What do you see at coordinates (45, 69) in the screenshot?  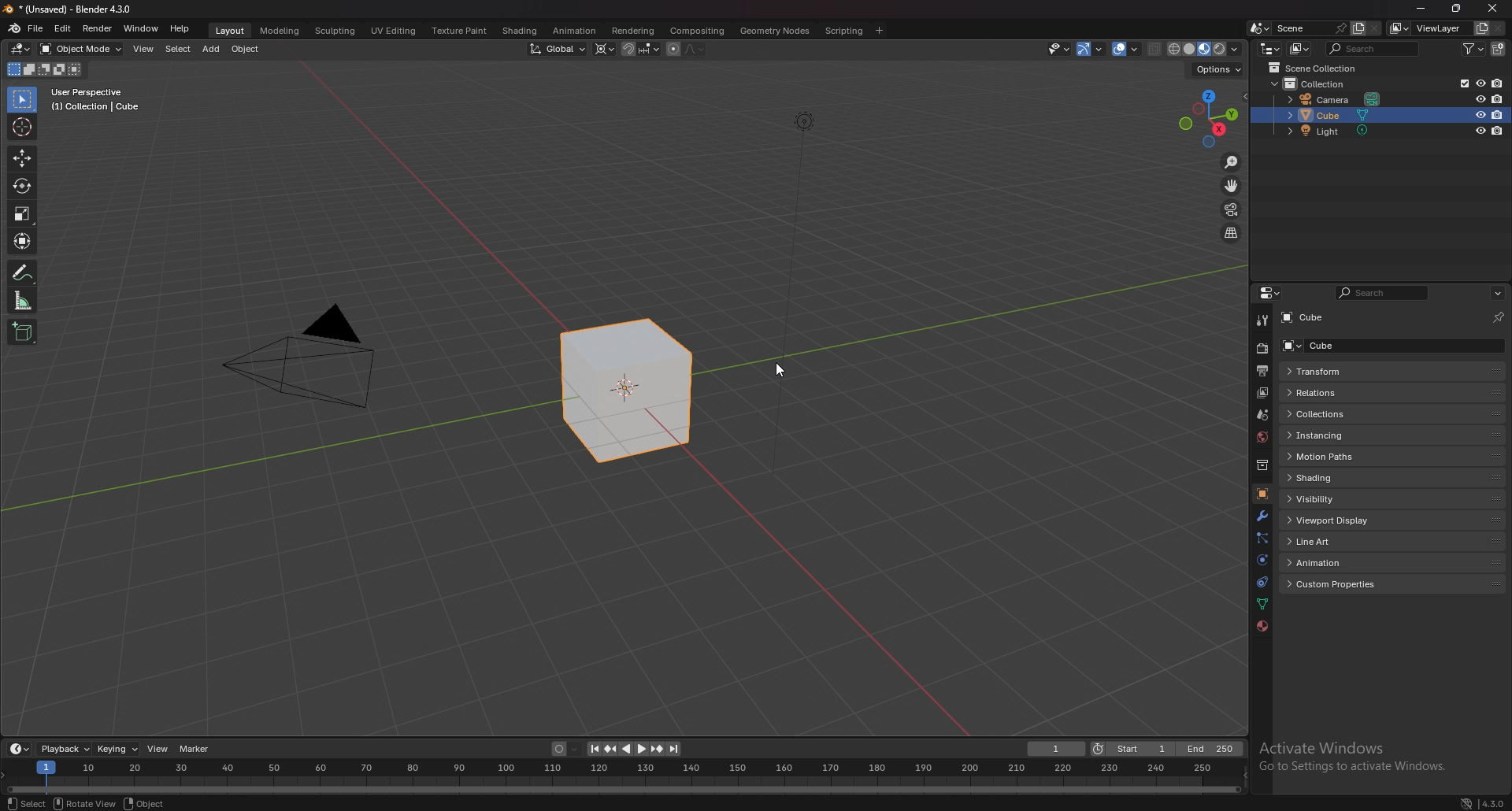 I see `mode` at bounding box center [45, 69].